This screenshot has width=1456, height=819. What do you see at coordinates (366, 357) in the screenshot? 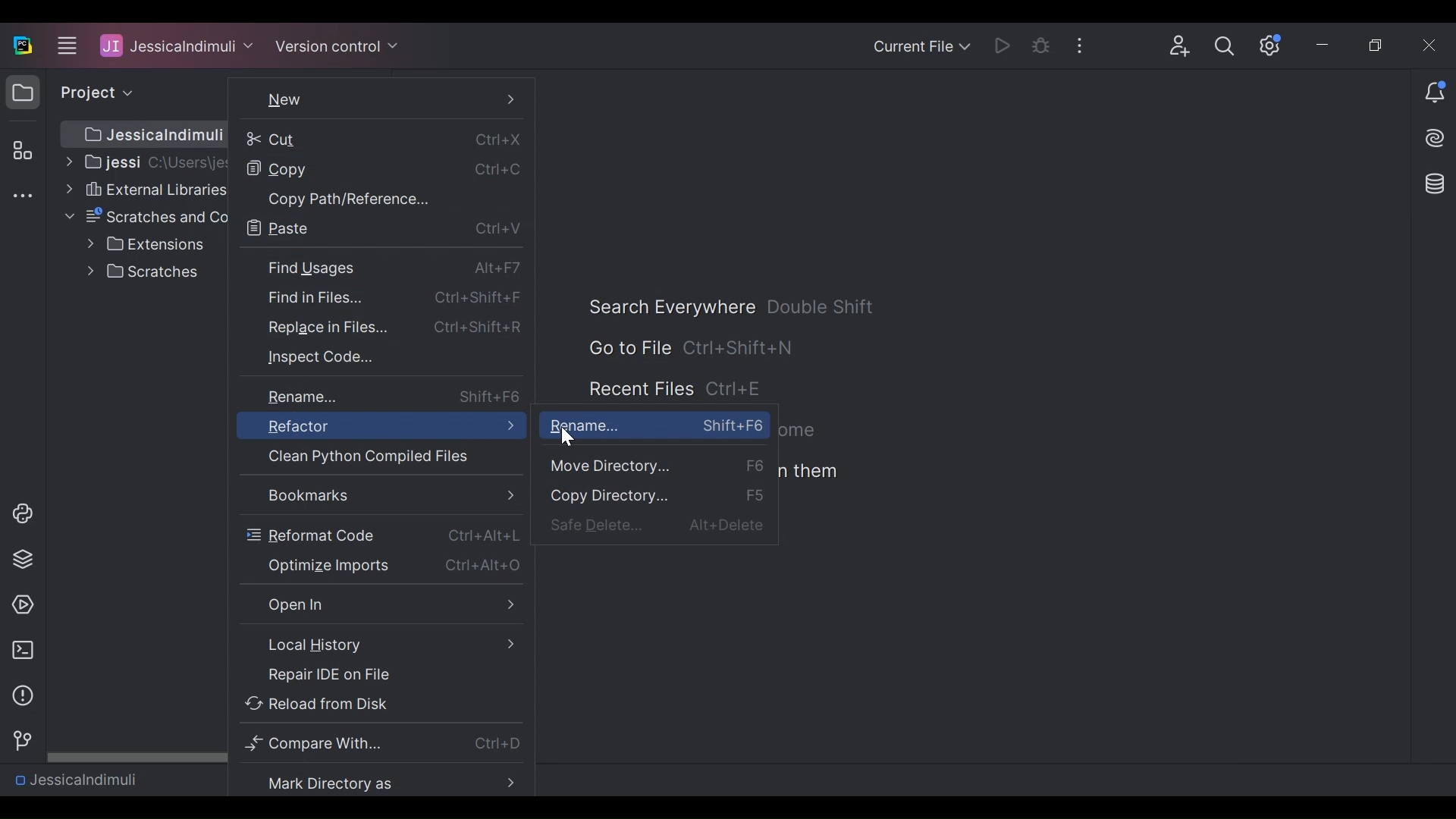
I see `Inspect Code` at bounding box center [366, 357].